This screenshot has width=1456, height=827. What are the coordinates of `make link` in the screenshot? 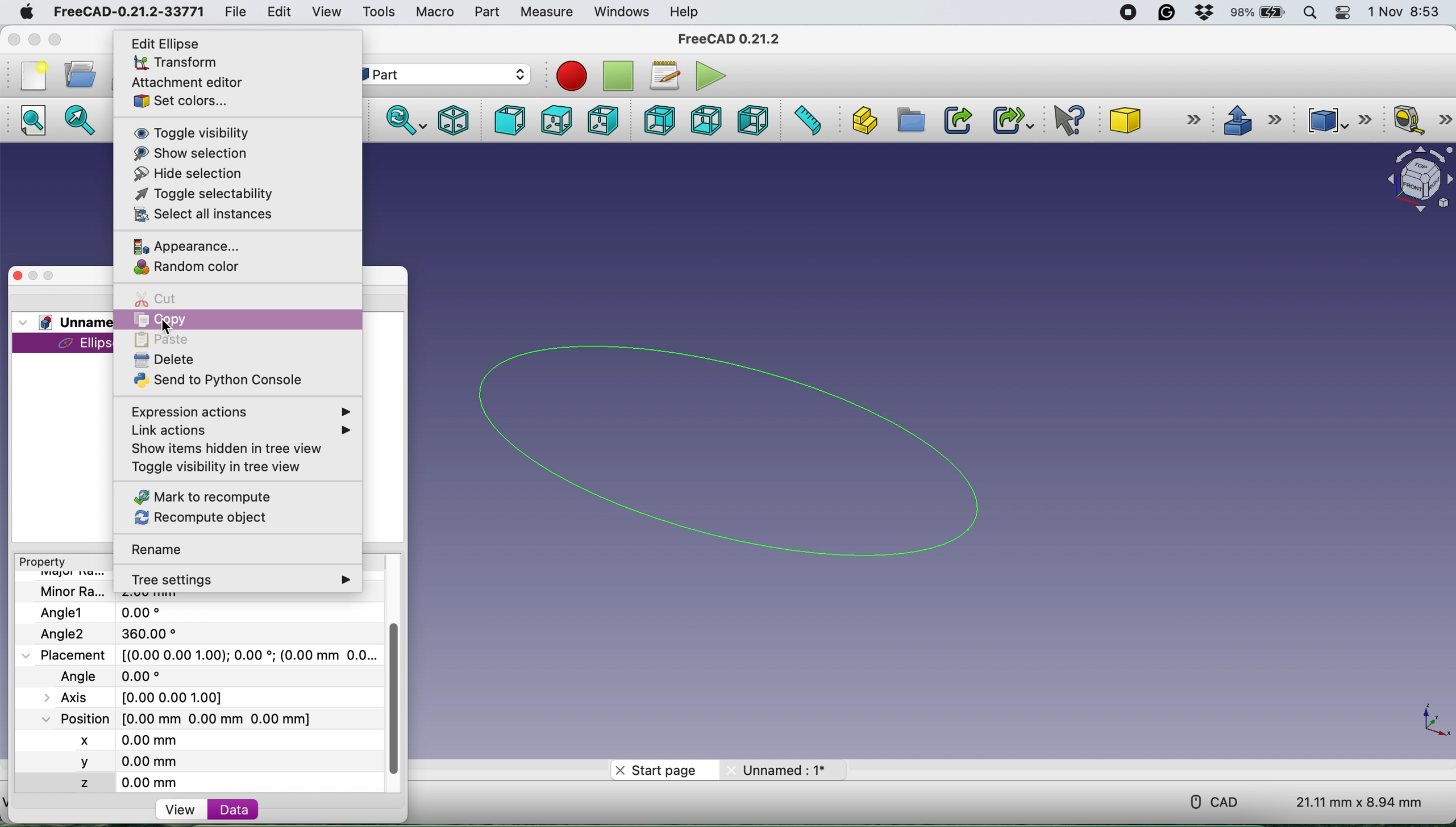 It's located at (955, 120).